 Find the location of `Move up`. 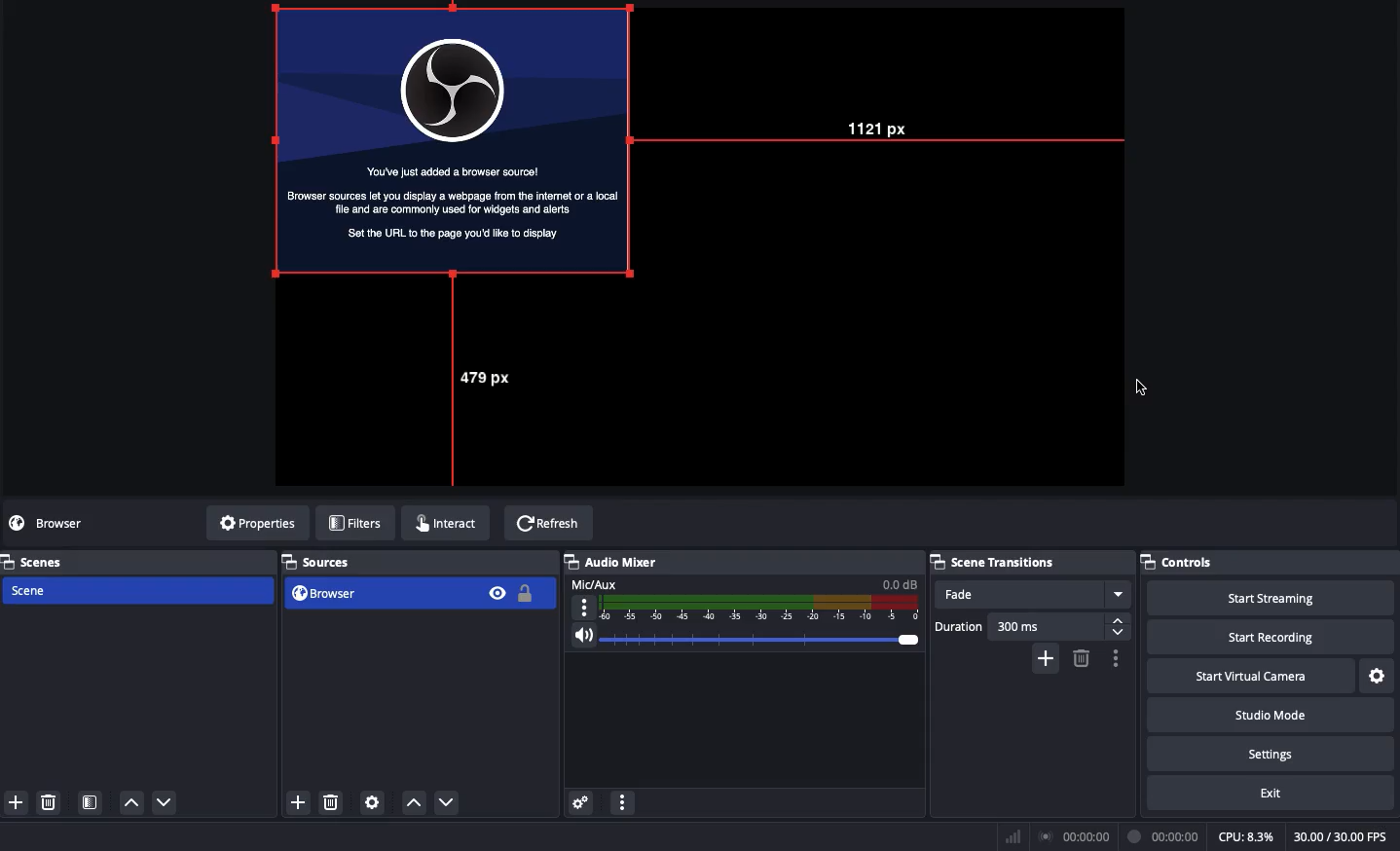

Move up is located at coordinates (411, 801).